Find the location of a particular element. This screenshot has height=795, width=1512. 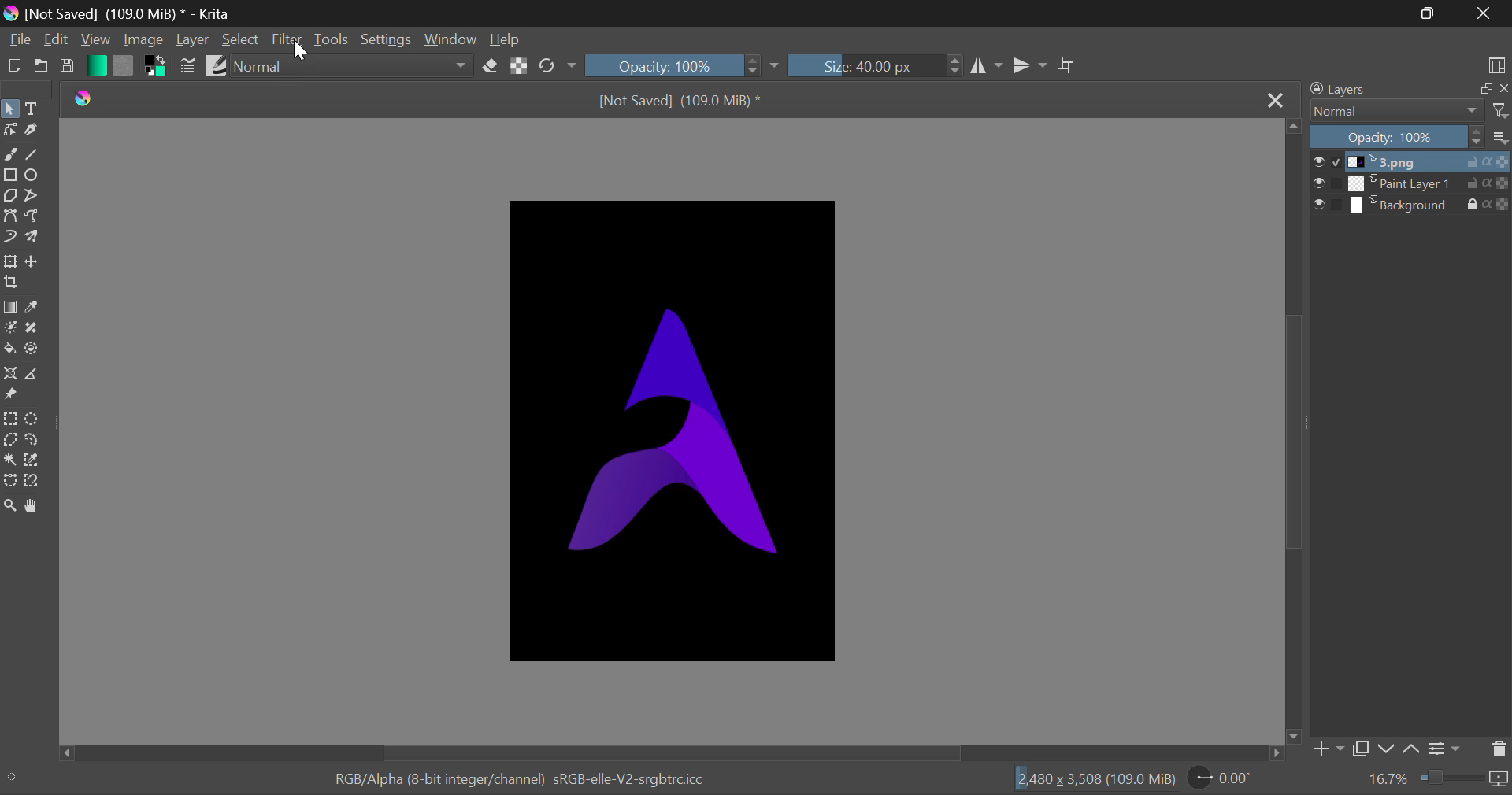

increase or decrease opacity is located at coordinates (754, 66).